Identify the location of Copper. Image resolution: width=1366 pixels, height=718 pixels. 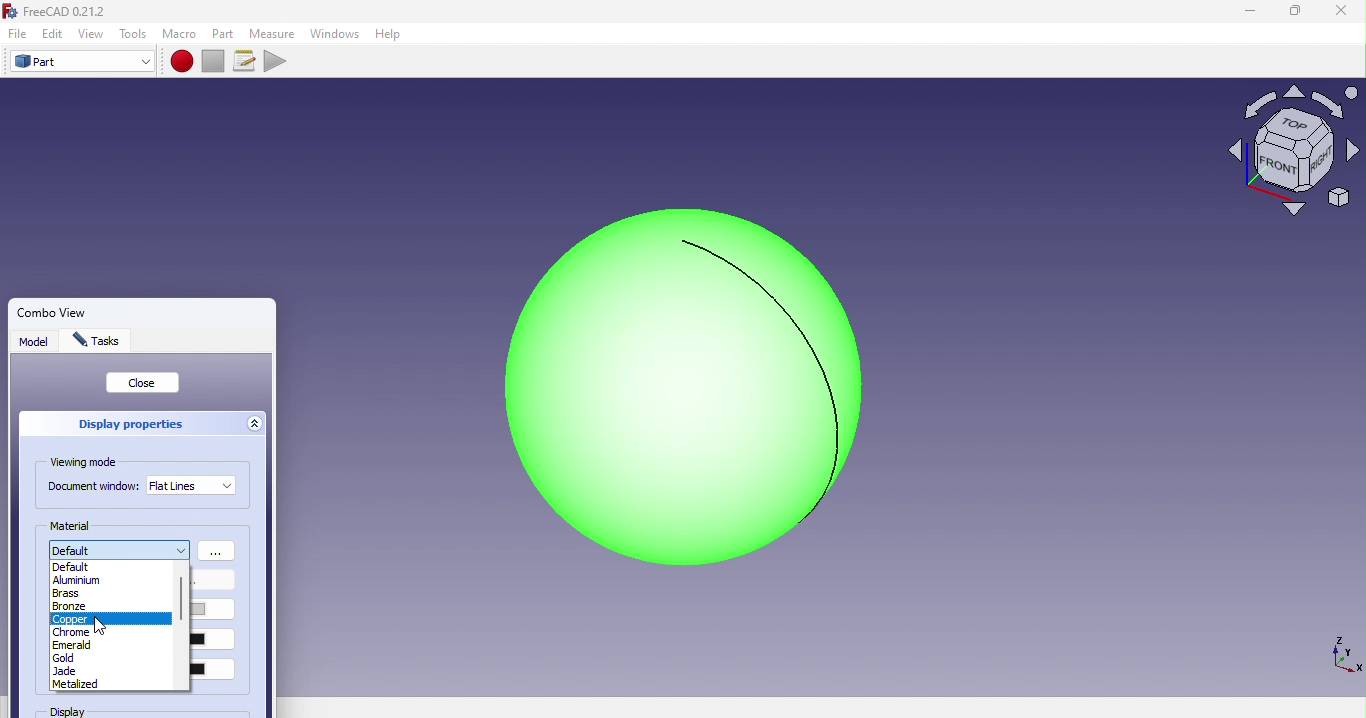
(70, 619).